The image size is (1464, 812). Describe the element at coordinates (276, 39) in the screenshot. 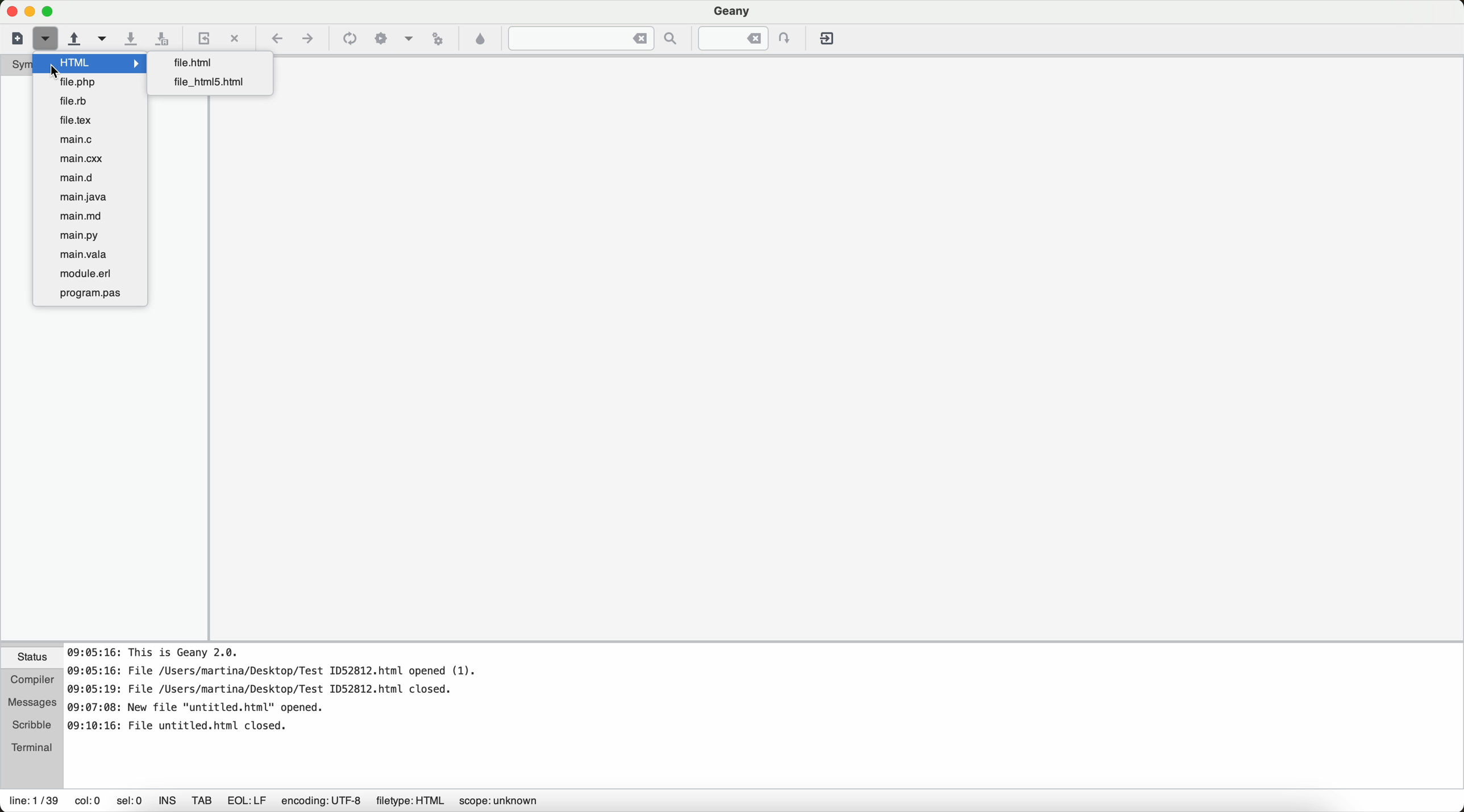

I see `navigate back` at that location.